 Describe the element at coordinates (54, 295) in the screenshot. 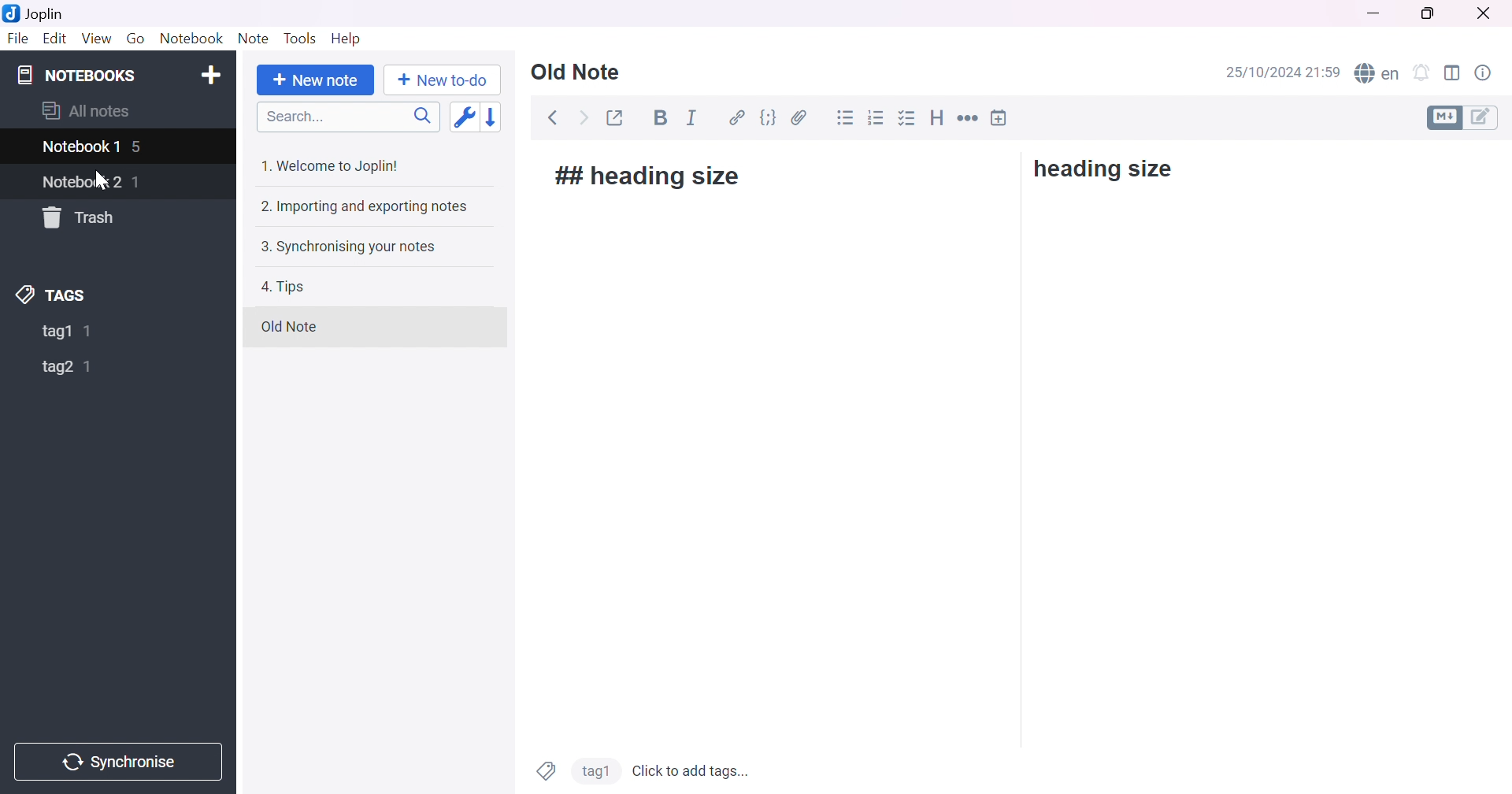

I see `TAGS` at that location.